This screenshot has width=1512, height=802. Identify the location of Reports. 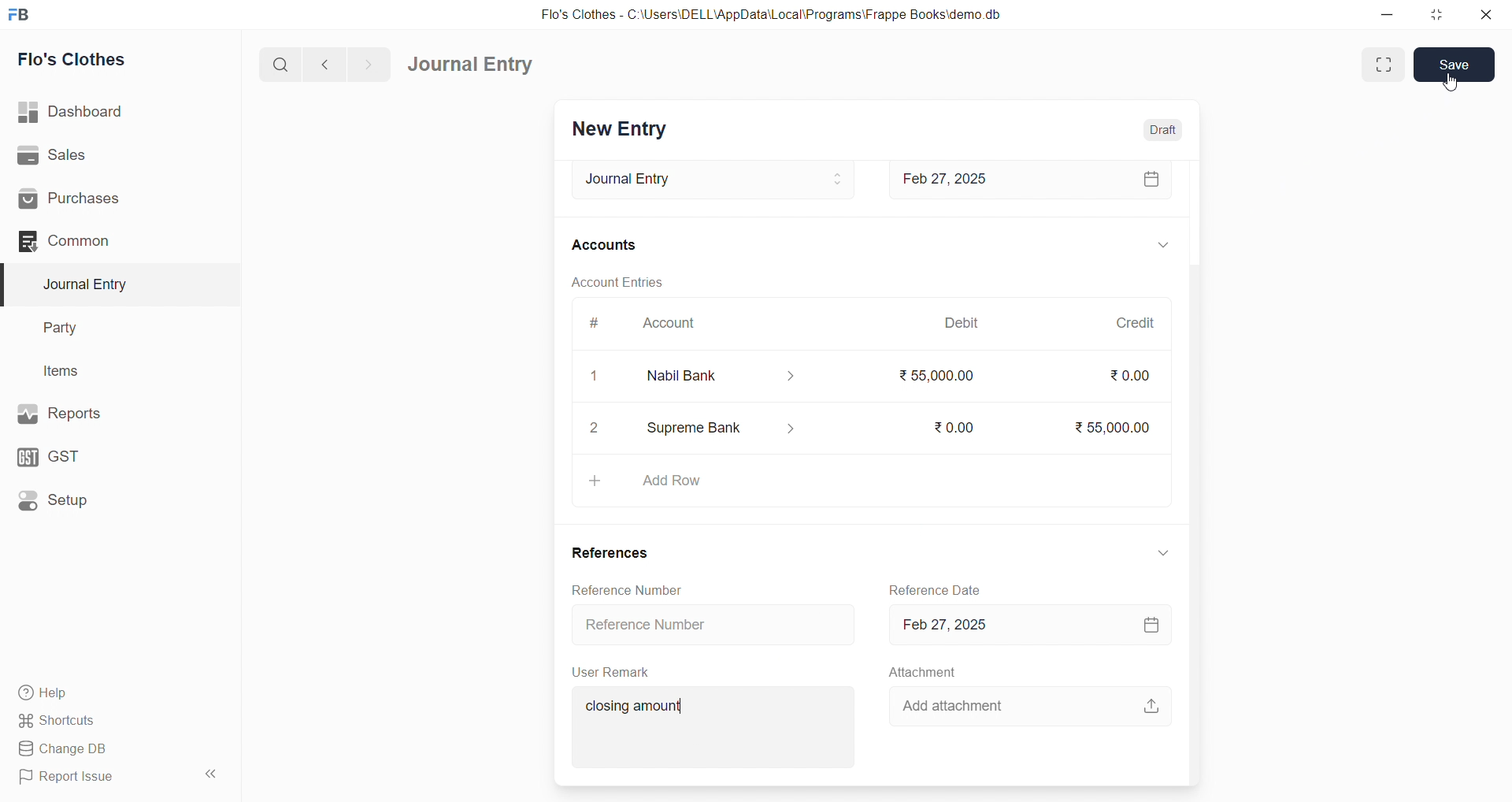
(93, 414).